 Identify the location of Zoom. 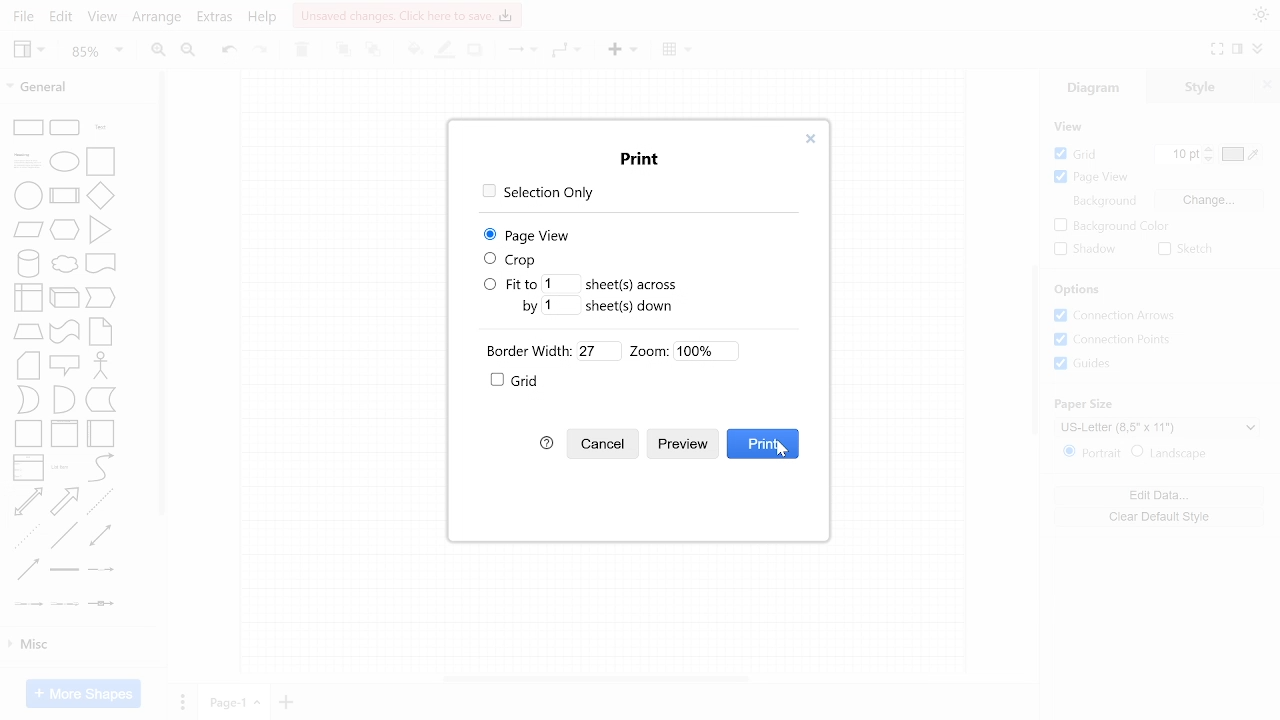
(96, 50).